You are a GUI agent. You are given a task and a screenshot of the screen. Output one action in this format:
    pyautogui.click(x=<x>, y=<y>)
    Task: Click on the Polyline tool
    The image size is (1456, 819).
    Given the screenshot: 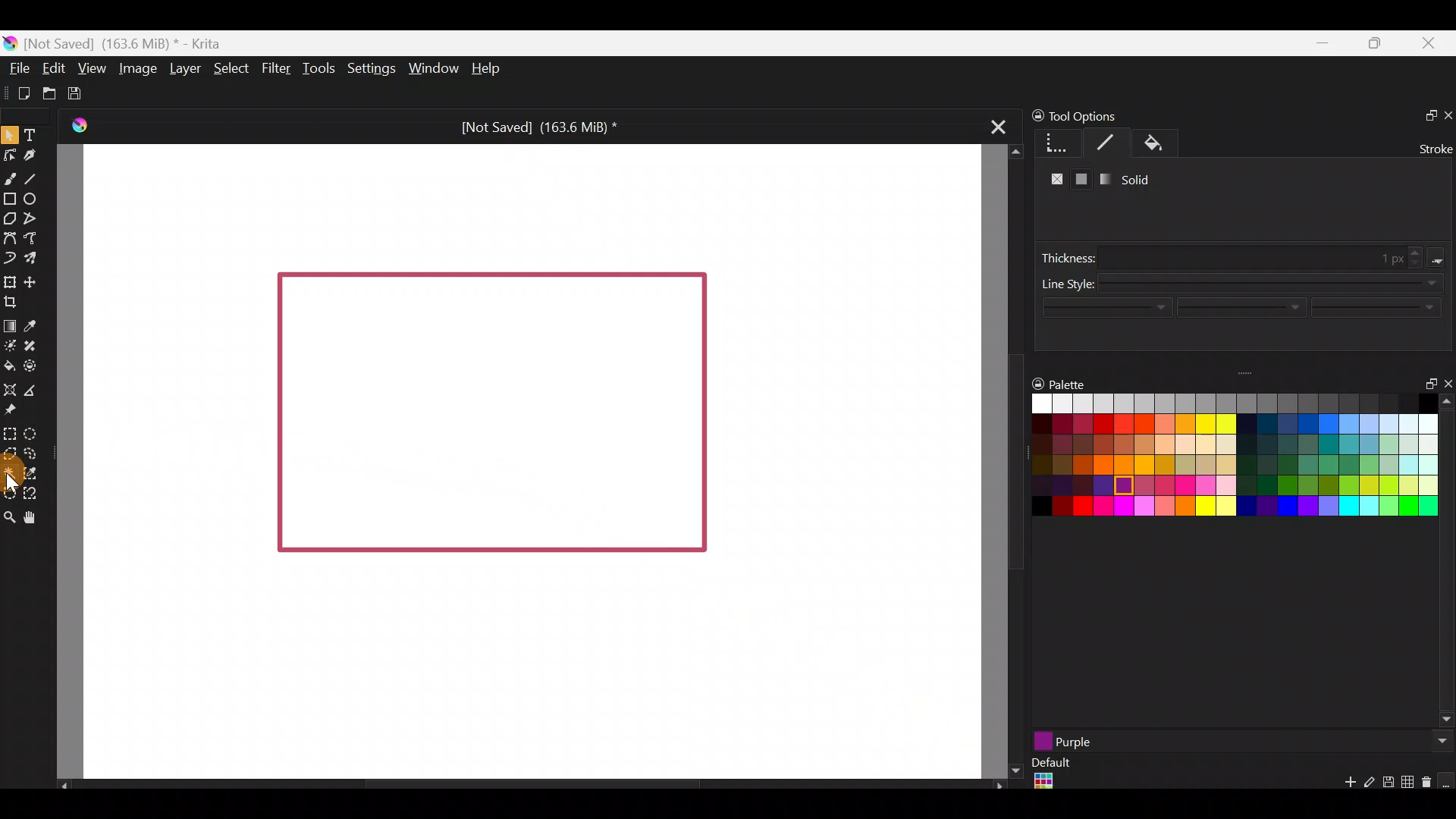 What is the action you would take?
    pyautogui.click(x=34, y=219)
    